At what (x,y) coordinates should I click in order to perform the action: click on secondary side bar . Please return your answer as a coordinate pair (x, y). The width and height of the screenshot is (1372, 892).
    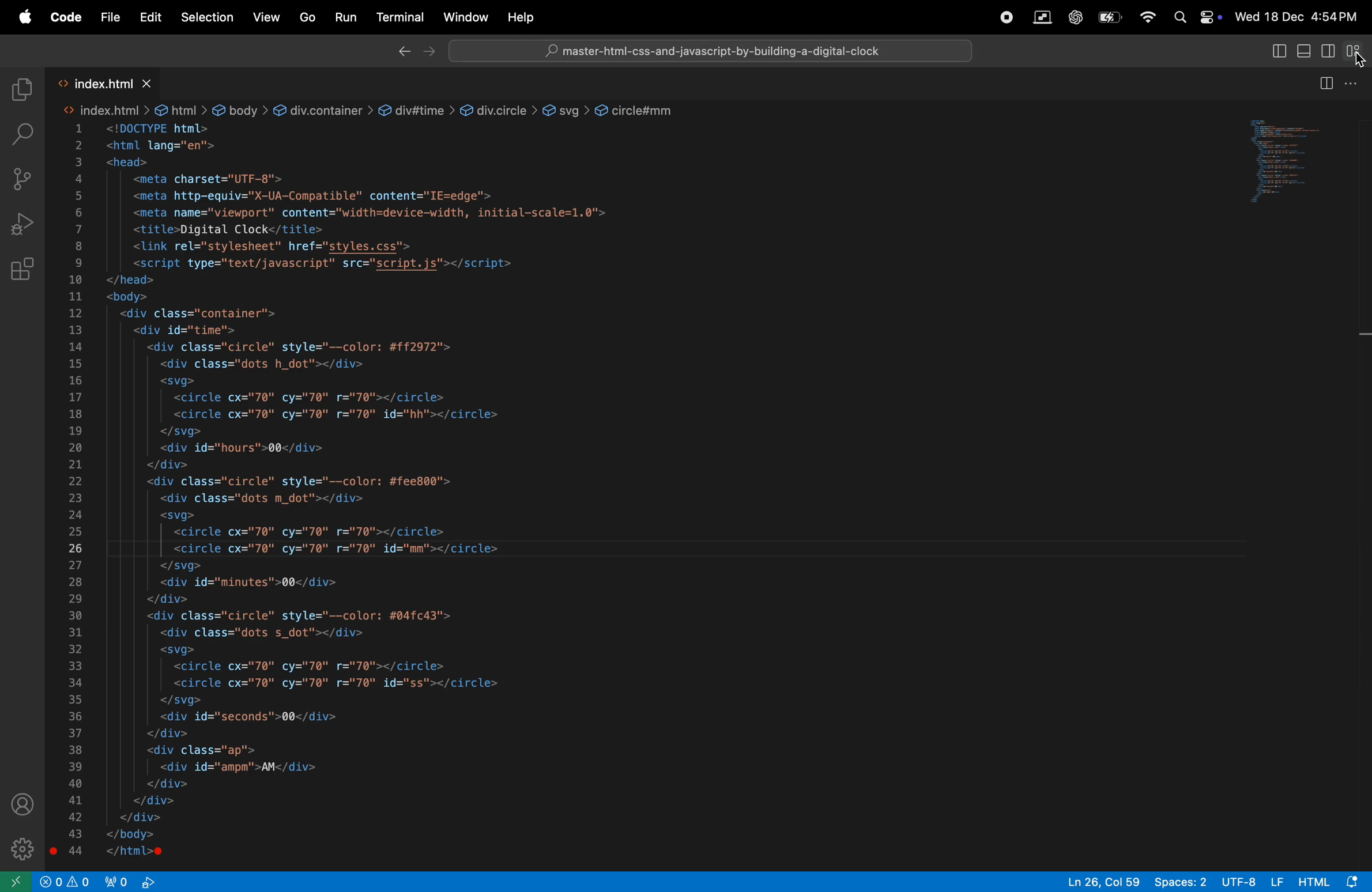
    Looking at the image, I should click on (1329, 50).